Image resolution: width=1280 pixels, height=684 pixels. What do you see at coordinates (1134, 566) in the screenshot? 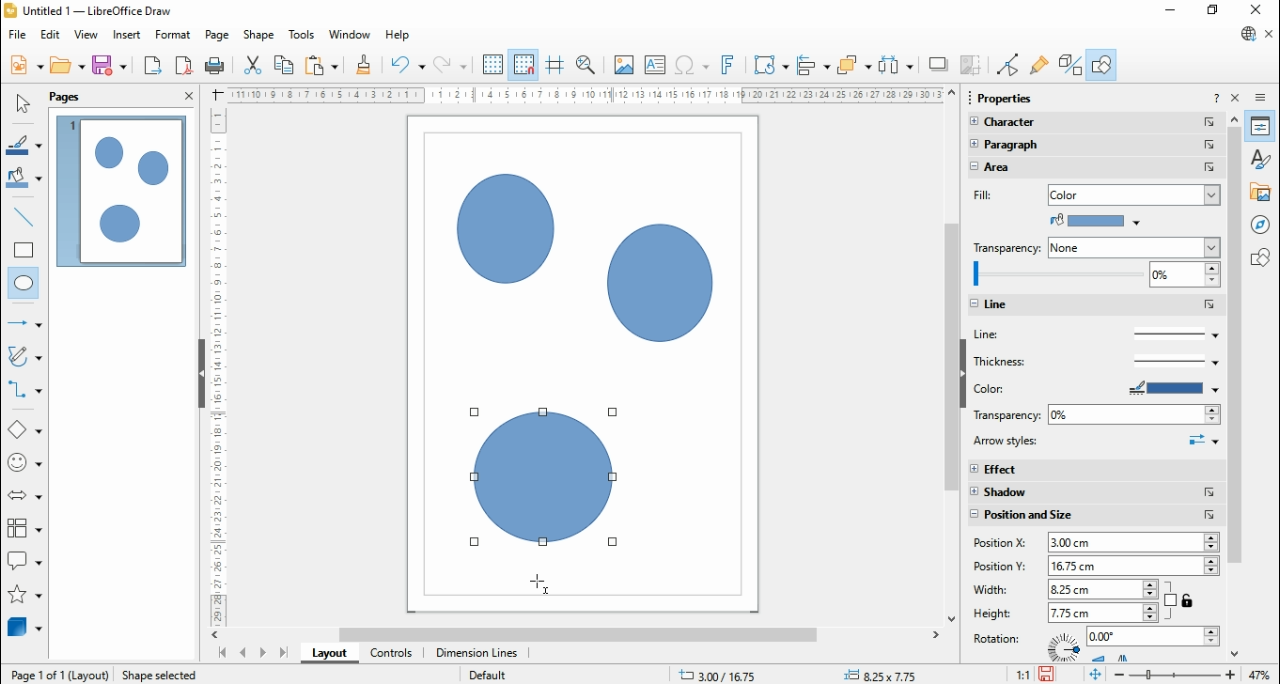
I see `2.50cm ` at bounding box center [1134, 566].